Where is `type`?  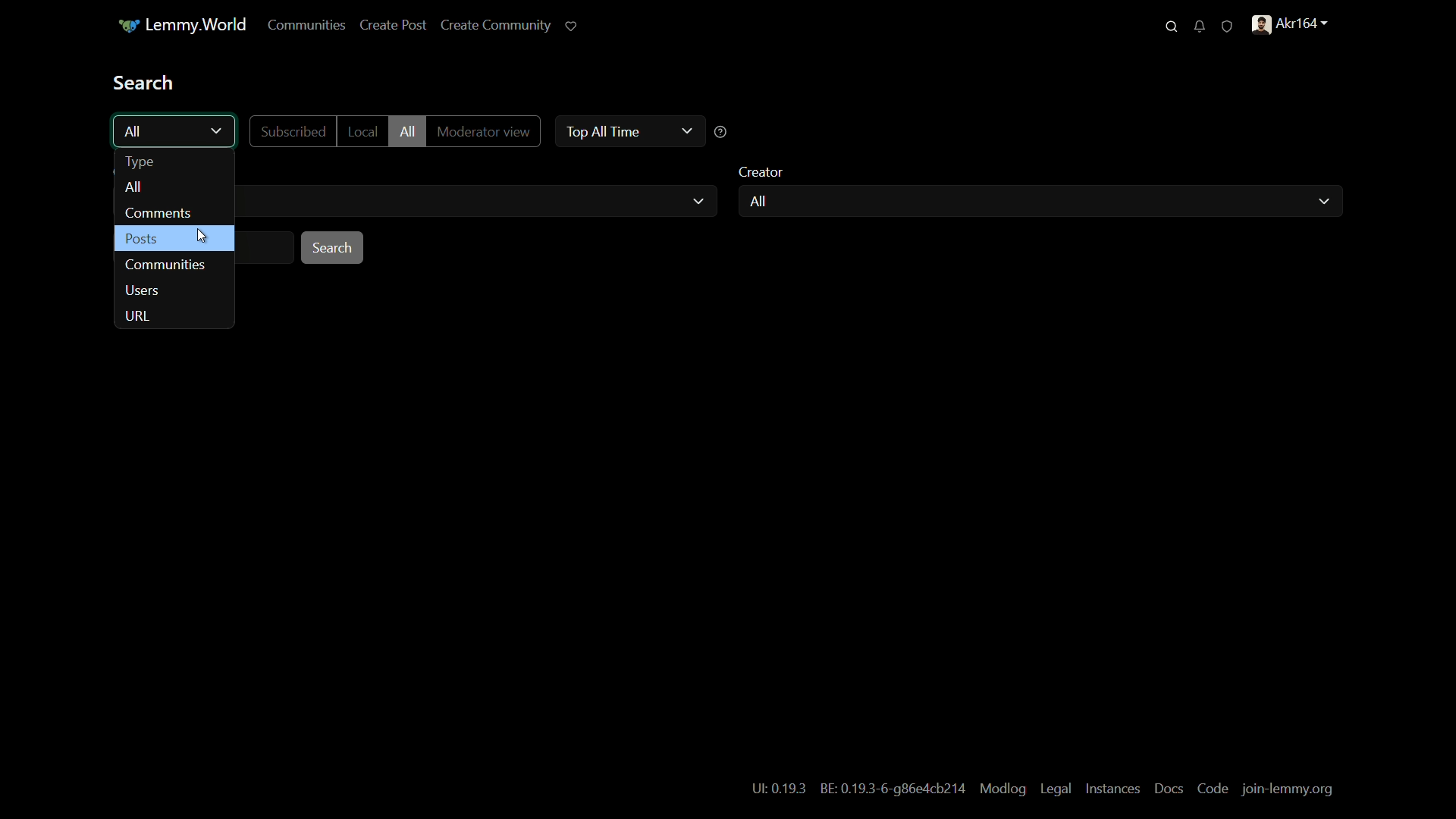
type is located at coordinates (140, 162).